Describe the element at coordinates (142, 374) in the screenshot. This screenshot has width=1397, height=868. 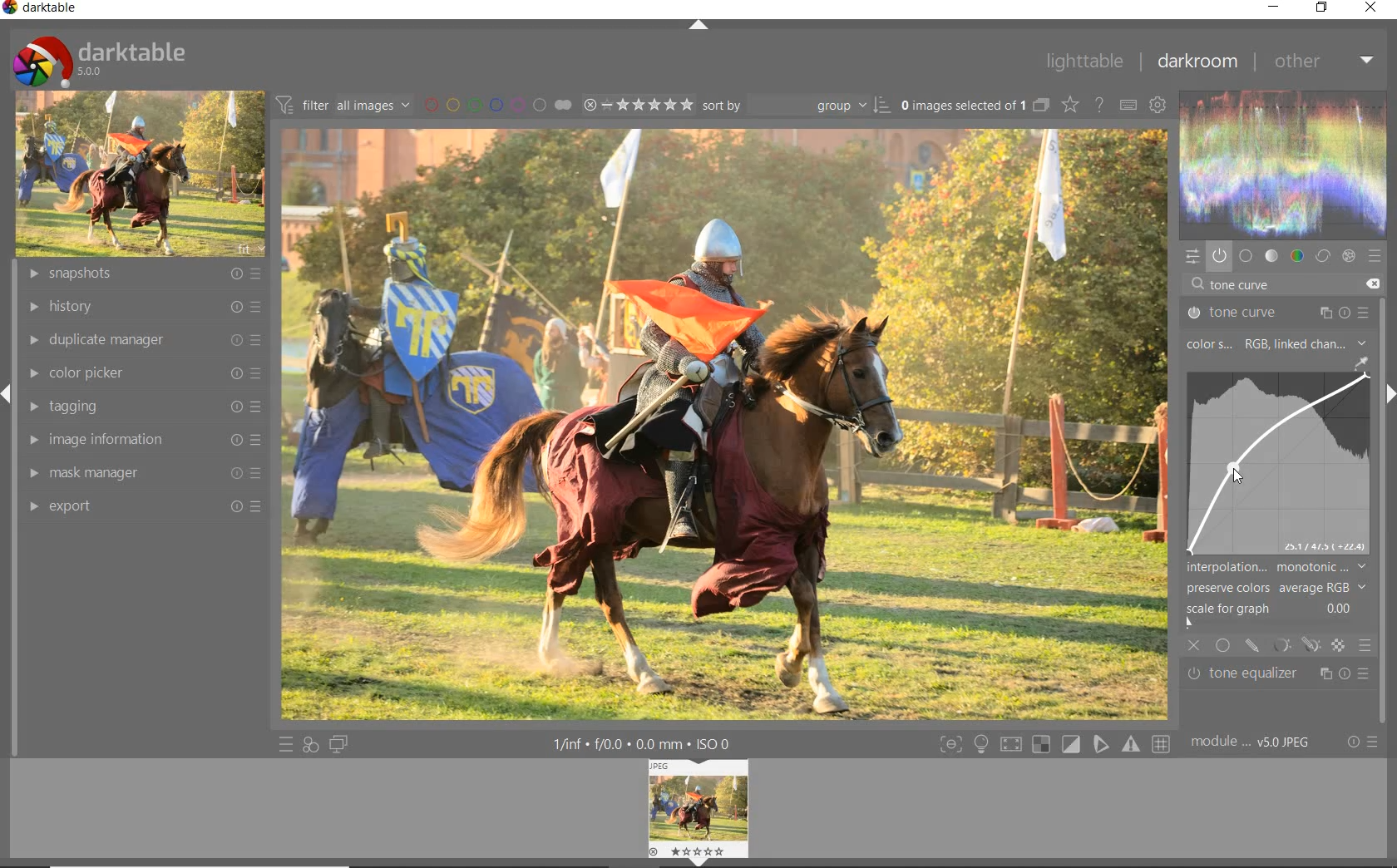
I see `color picker` at that location.